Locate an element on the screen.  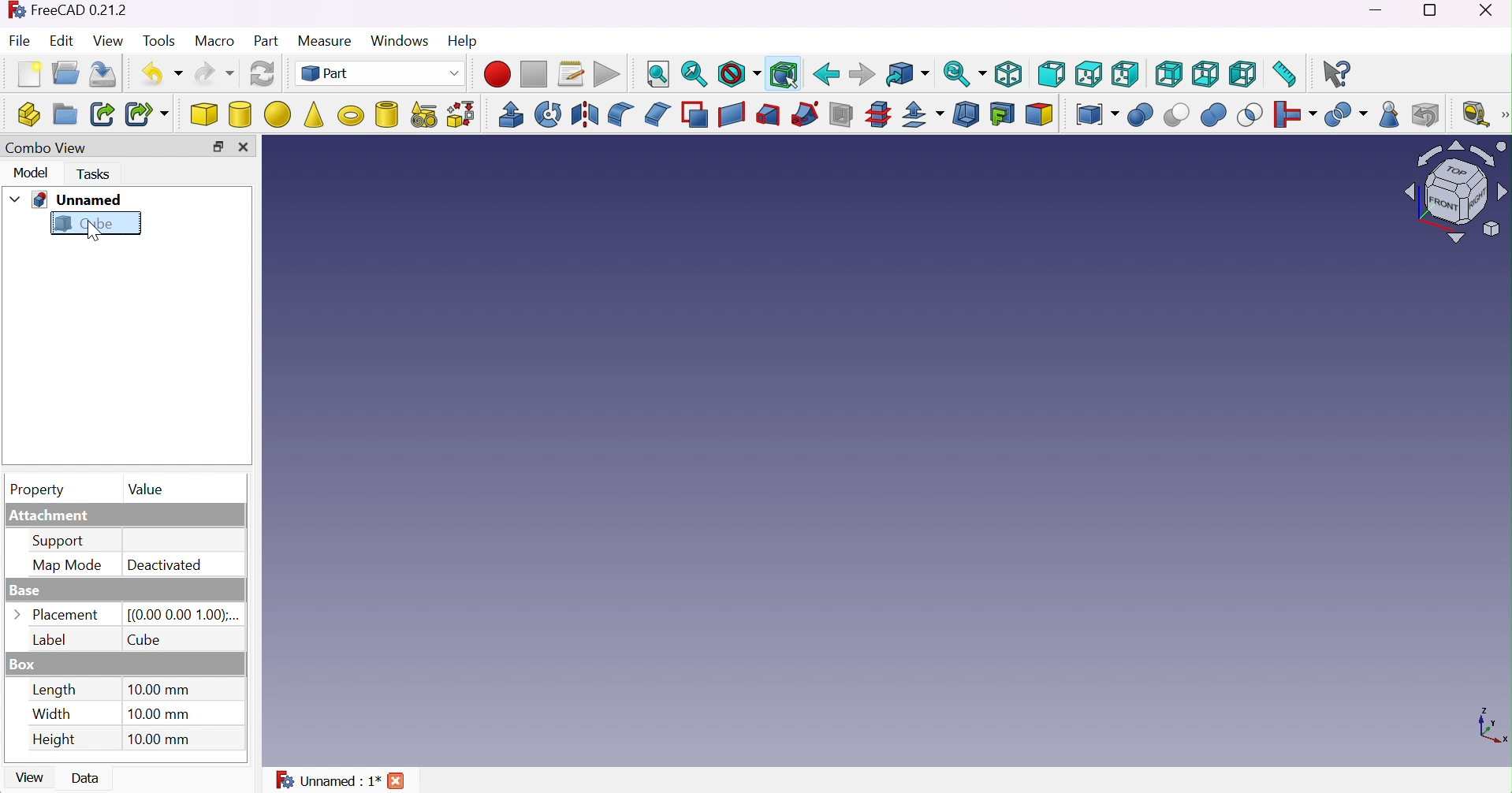
Refresh is located at coordinates (263, 75).